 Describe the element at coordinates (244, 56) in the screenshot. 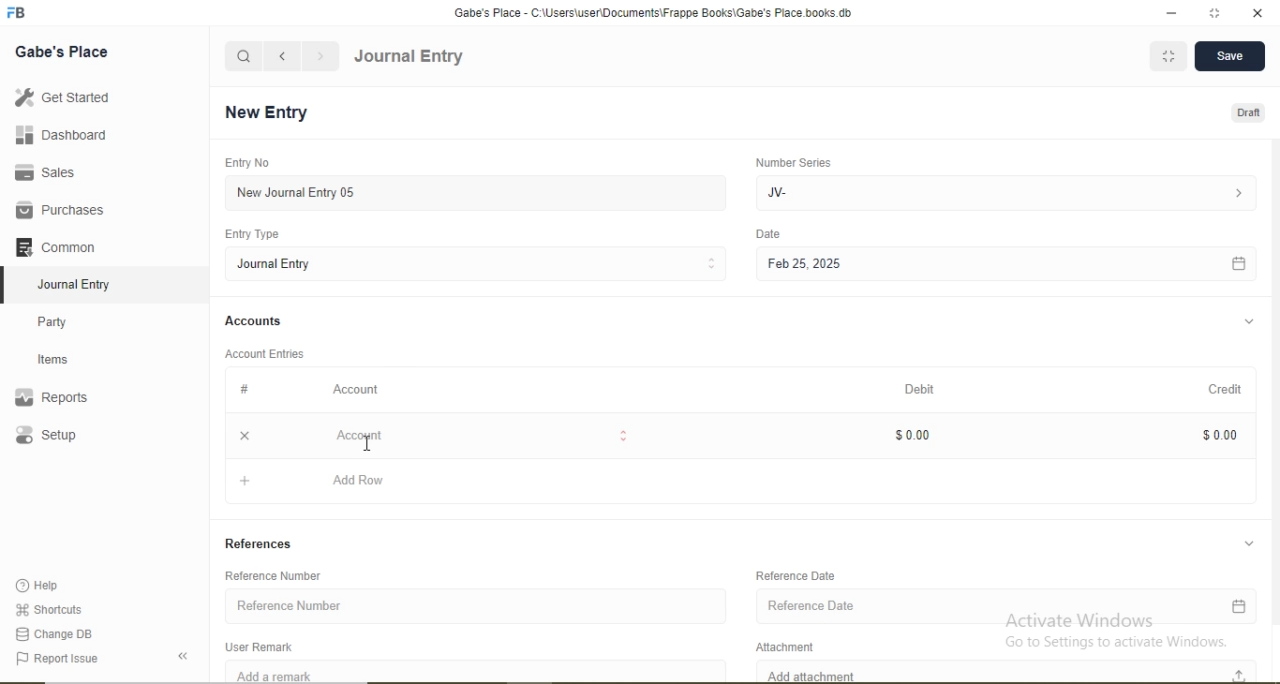

I see `search` at that location.